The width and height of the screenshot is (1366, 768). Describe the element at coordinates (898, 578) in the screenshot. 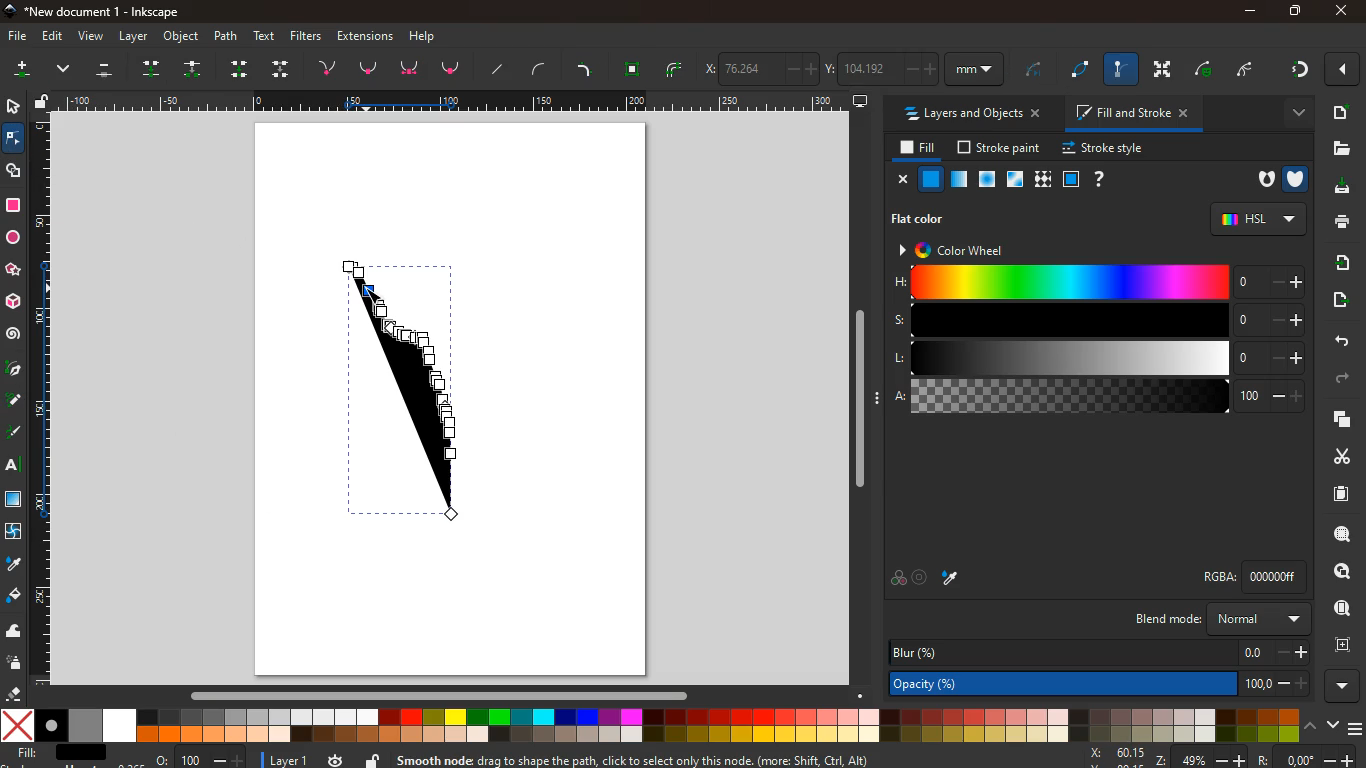

I see `overlap` at that location.